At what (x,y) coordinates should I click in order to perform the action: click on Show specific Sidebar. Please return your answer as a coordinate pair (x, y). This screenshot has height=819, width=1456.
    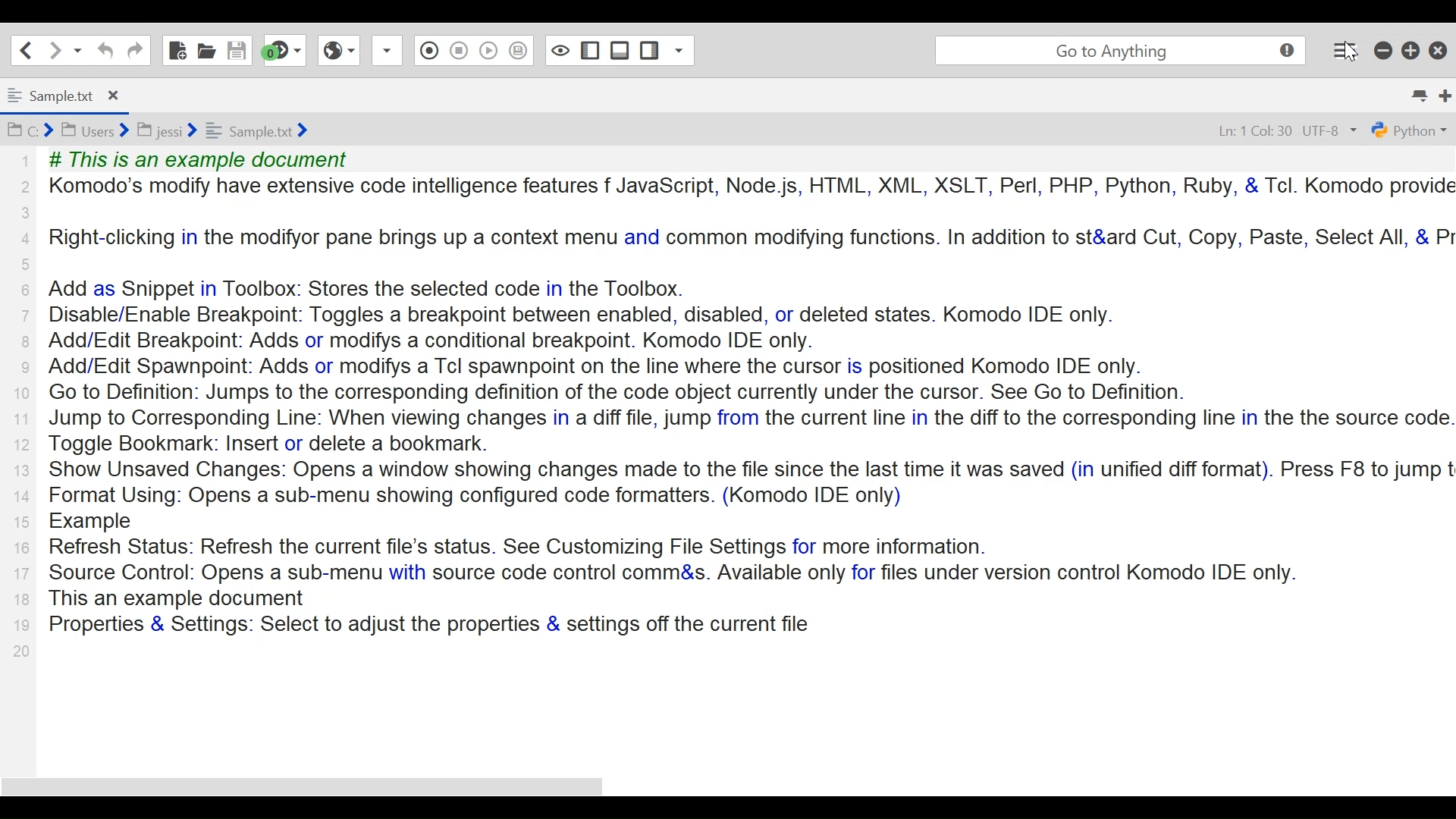
    Looking at the image, I should click on (665, 48).